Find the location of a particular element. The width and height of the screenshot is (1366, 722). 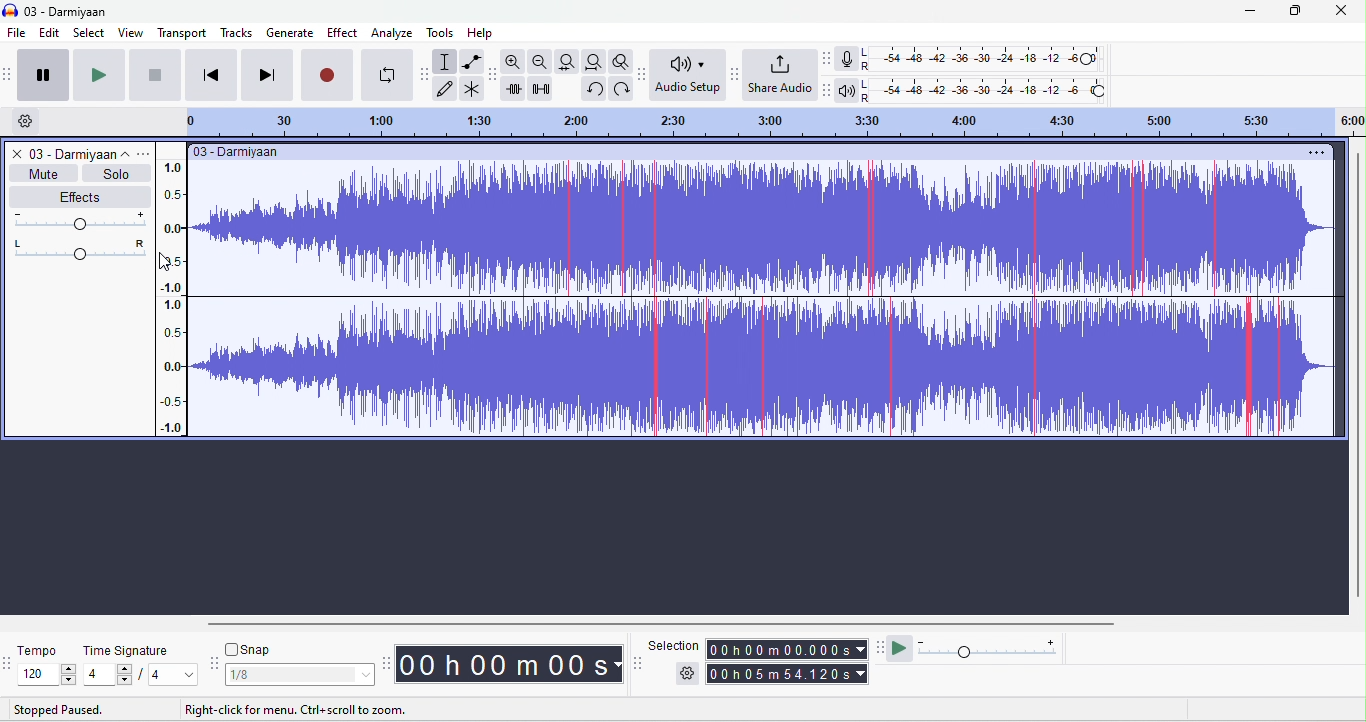

generate is located at coordinates (290, 31).